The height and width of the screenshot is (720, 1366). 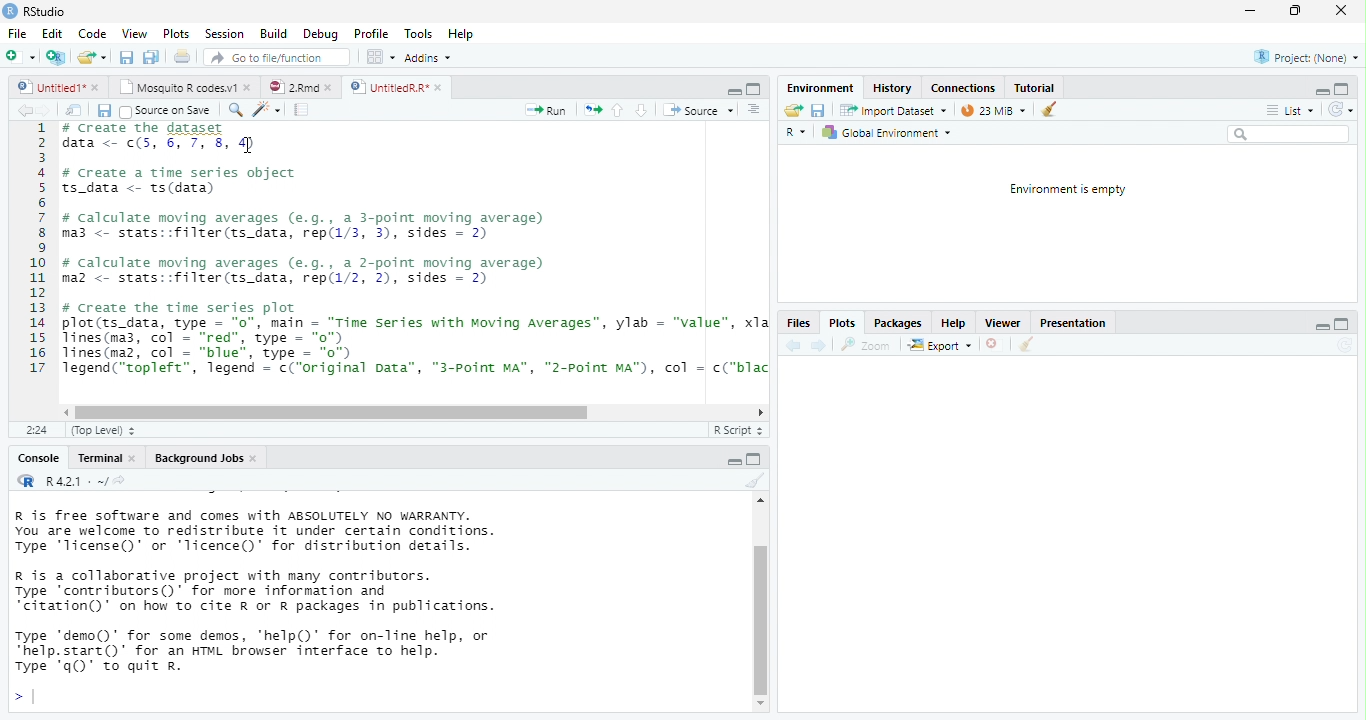 What do you see at coordinates (23, 698) in the screenshot?
I see `>` at bounding box center [23, 698].